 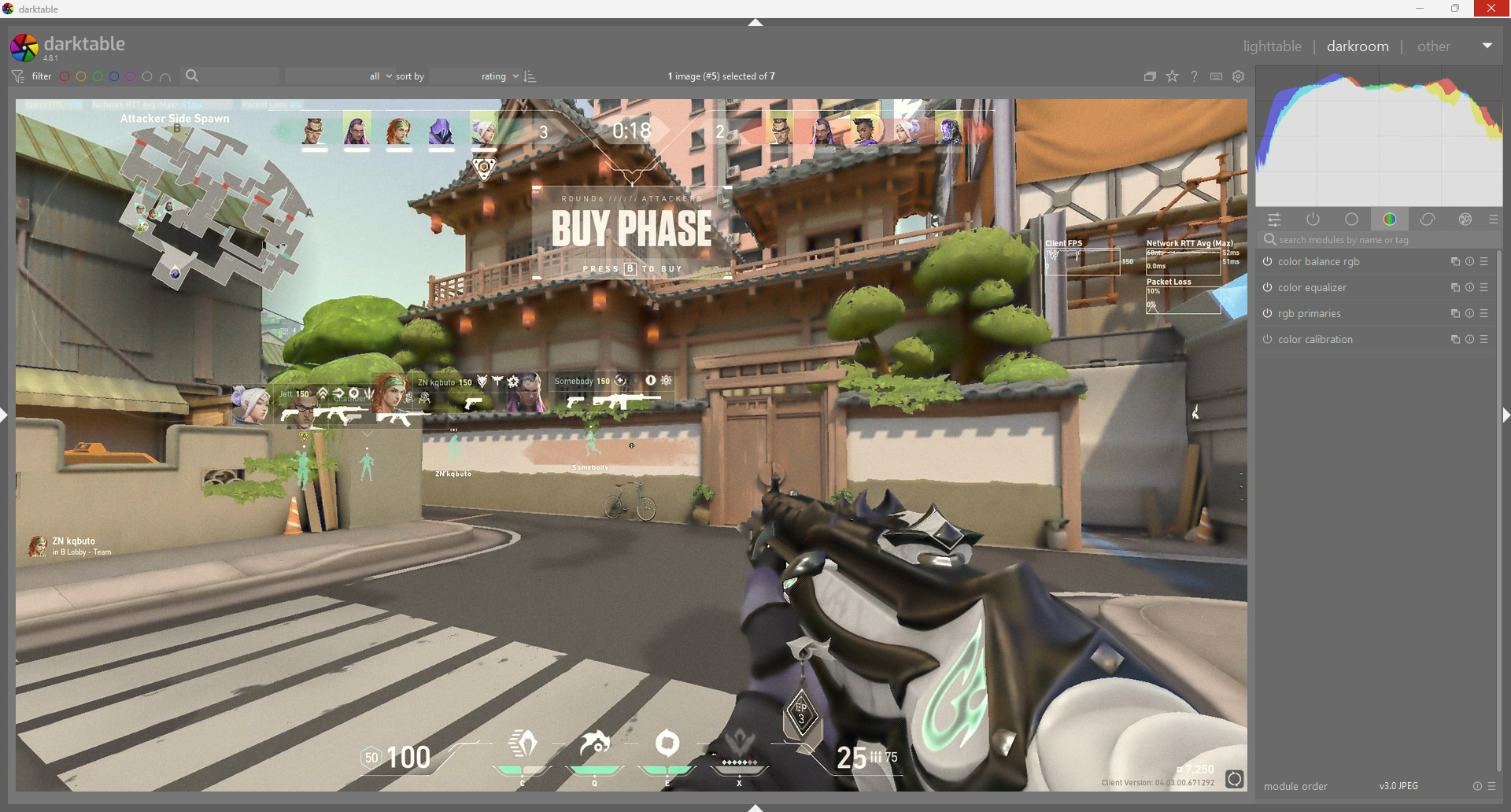 I want to click on close, so click(x=1491, y=9).